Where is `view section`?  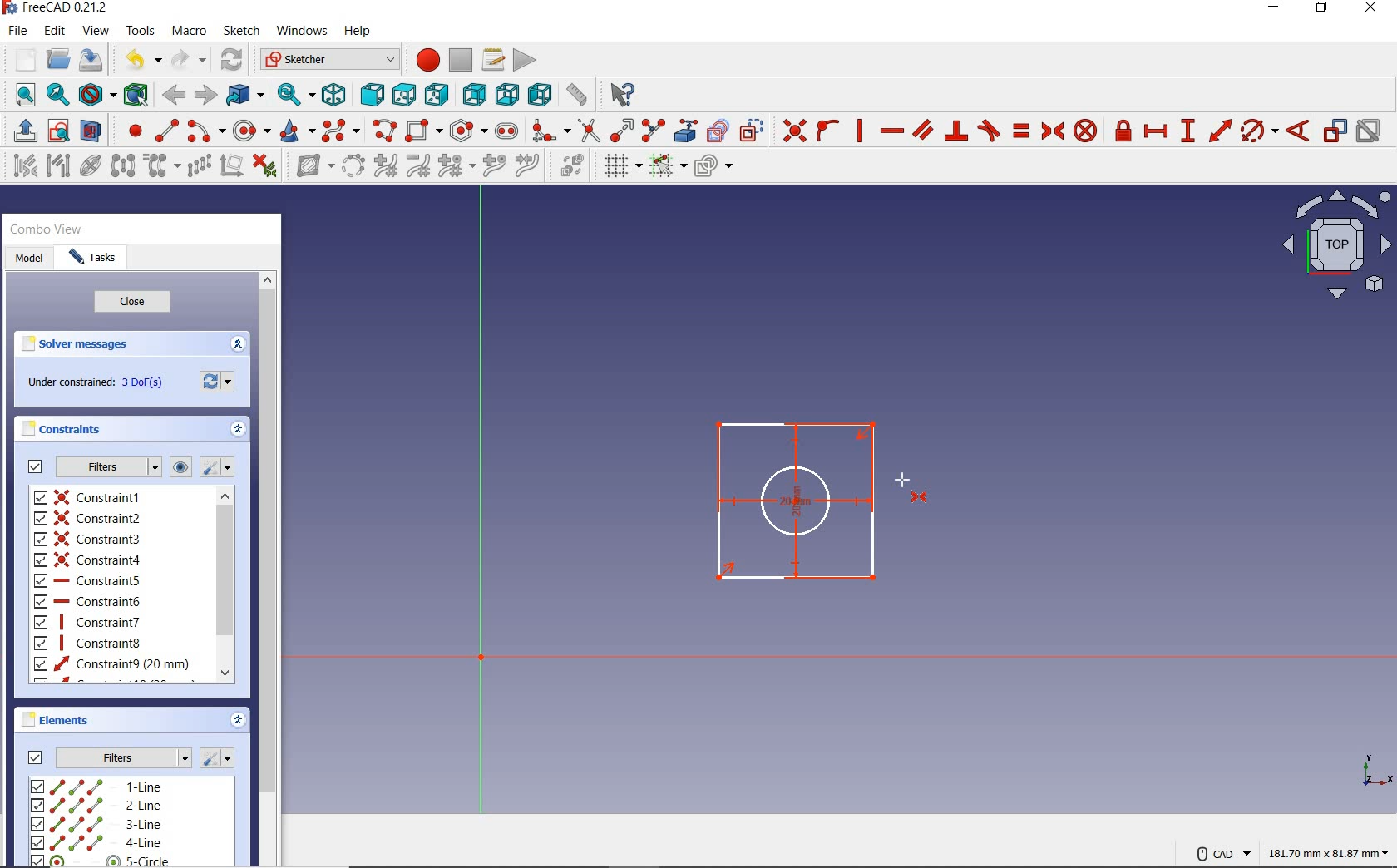 view section is located at coordinates (92, 129).